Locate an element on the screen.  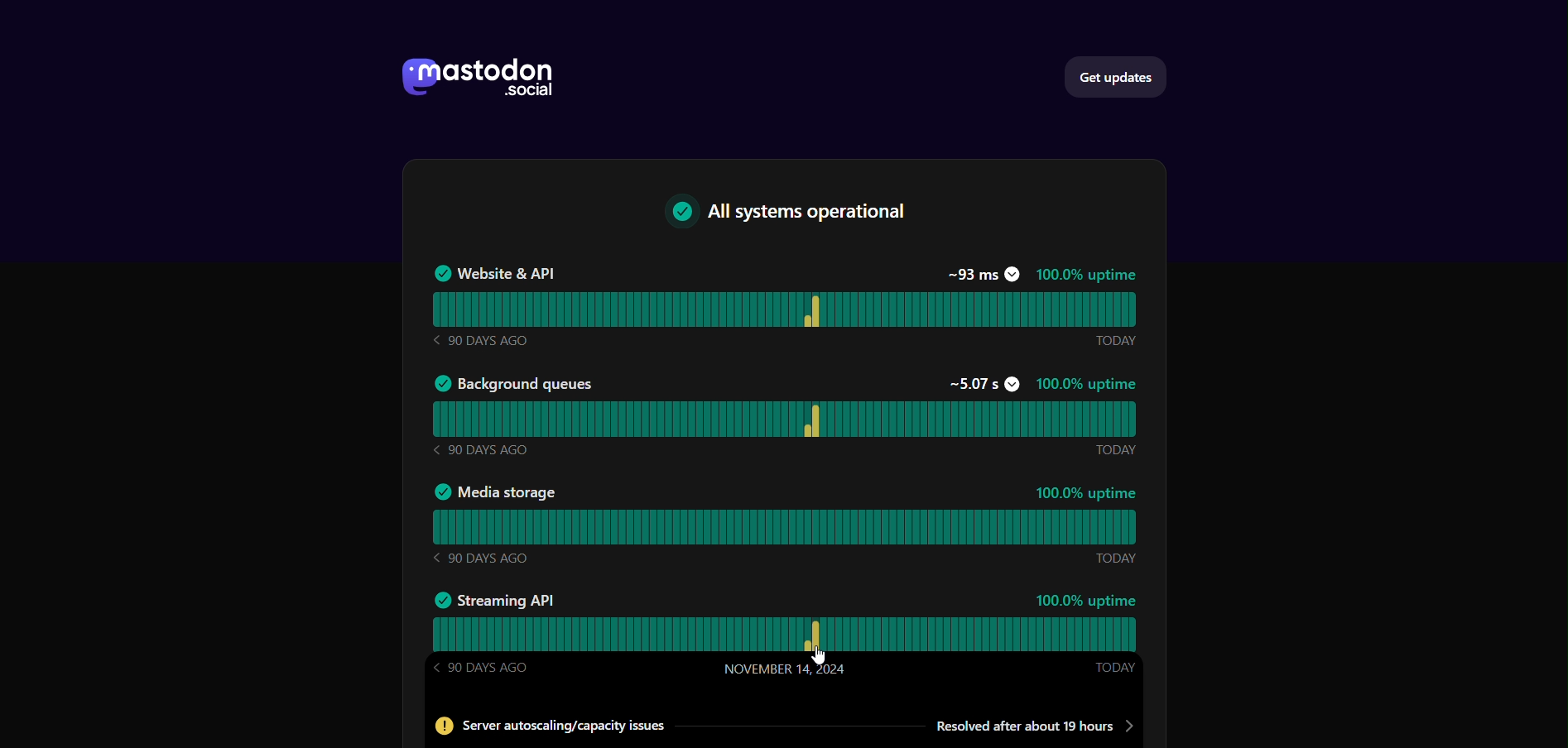
background queue status is located at coordinates (785, 419).